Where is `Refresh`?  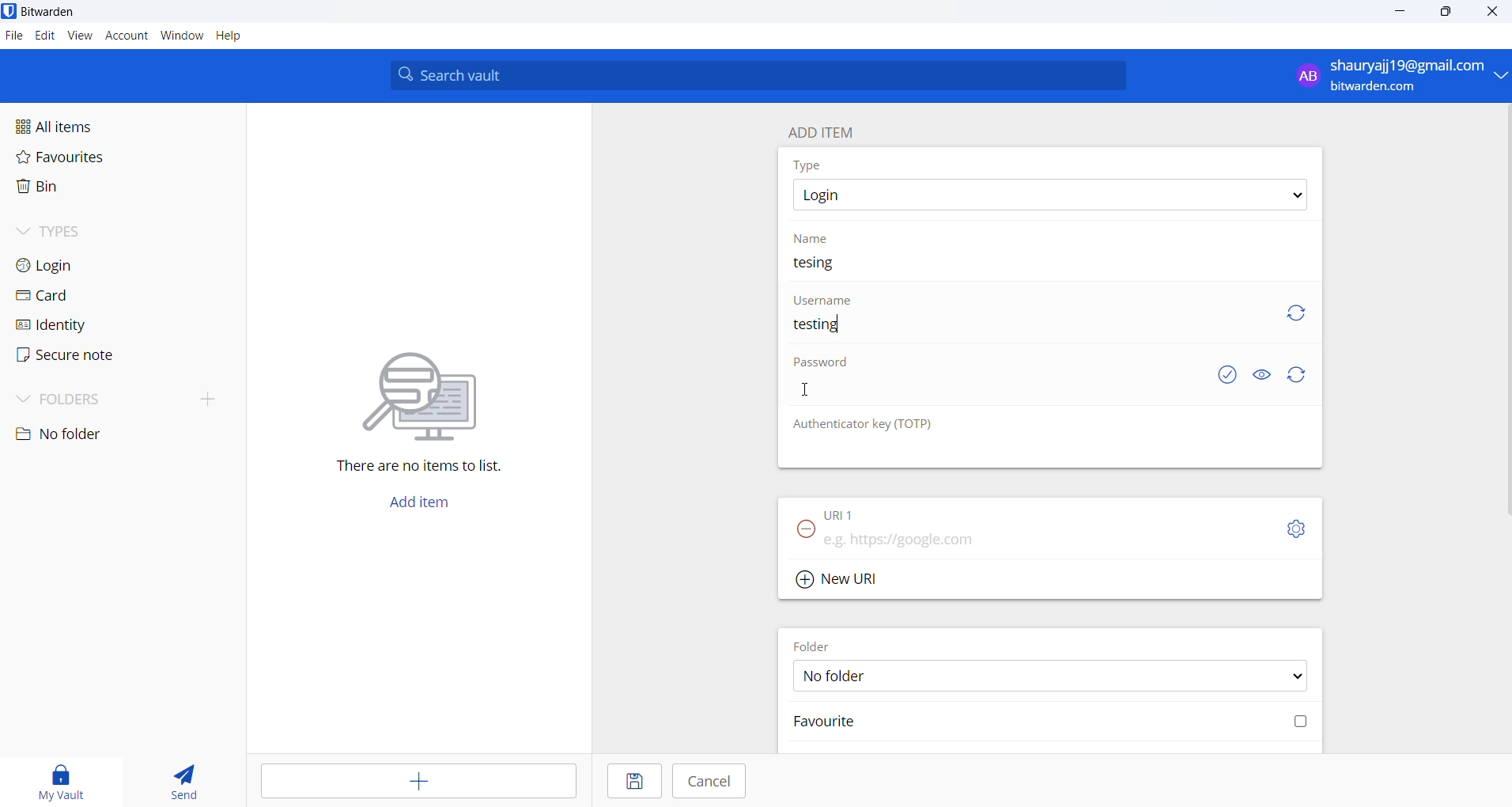
Refresh is located at coordinates (1305, 375).